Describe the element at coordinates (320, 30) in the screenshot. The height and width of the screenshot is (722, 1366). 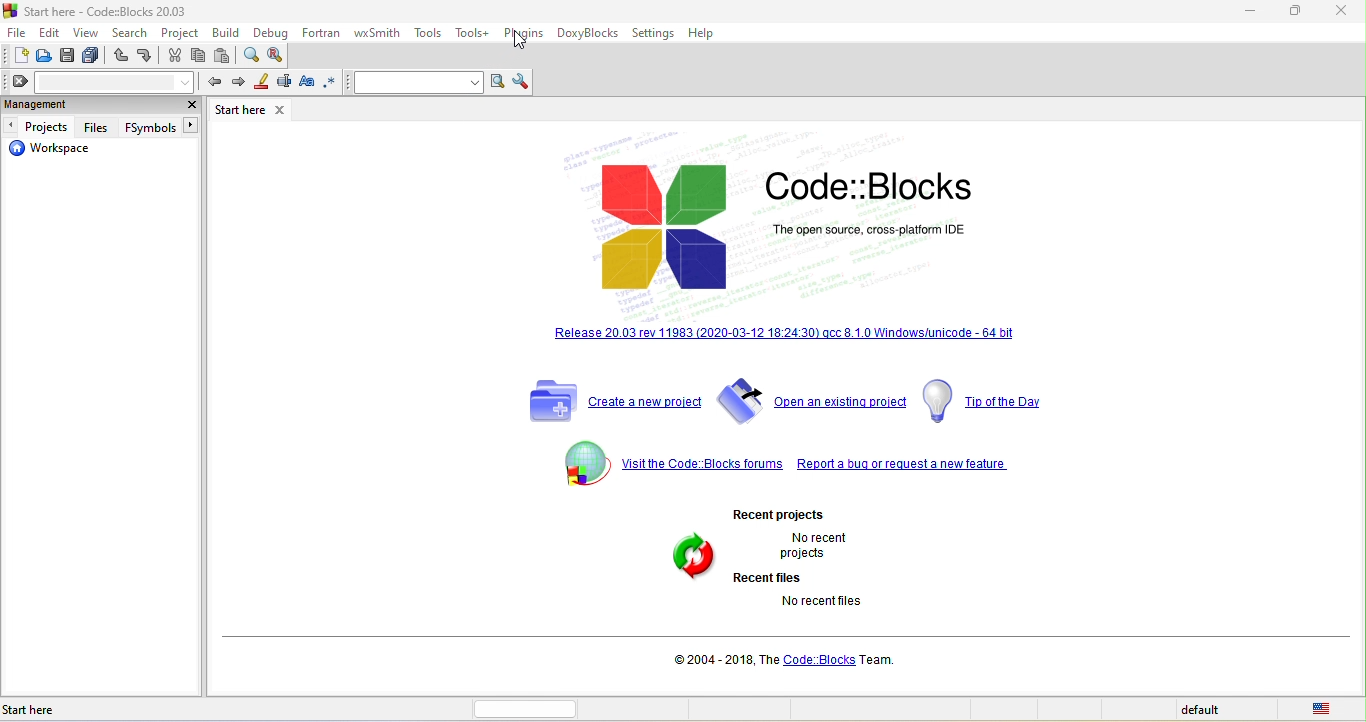
I see `fortran` at that location.